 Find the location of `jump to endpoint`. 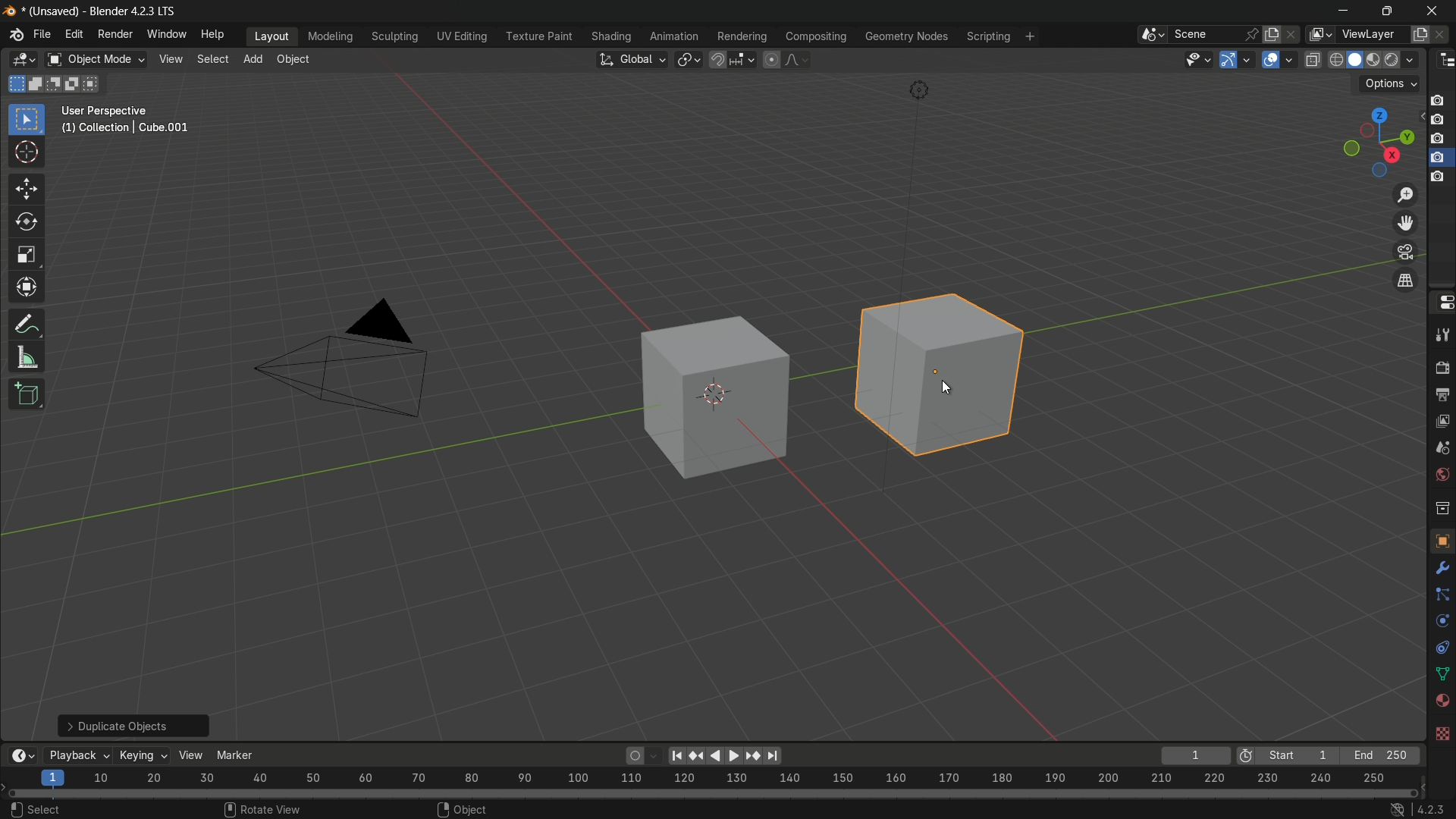

jump to endpoint is located at coordinates (771, 755).